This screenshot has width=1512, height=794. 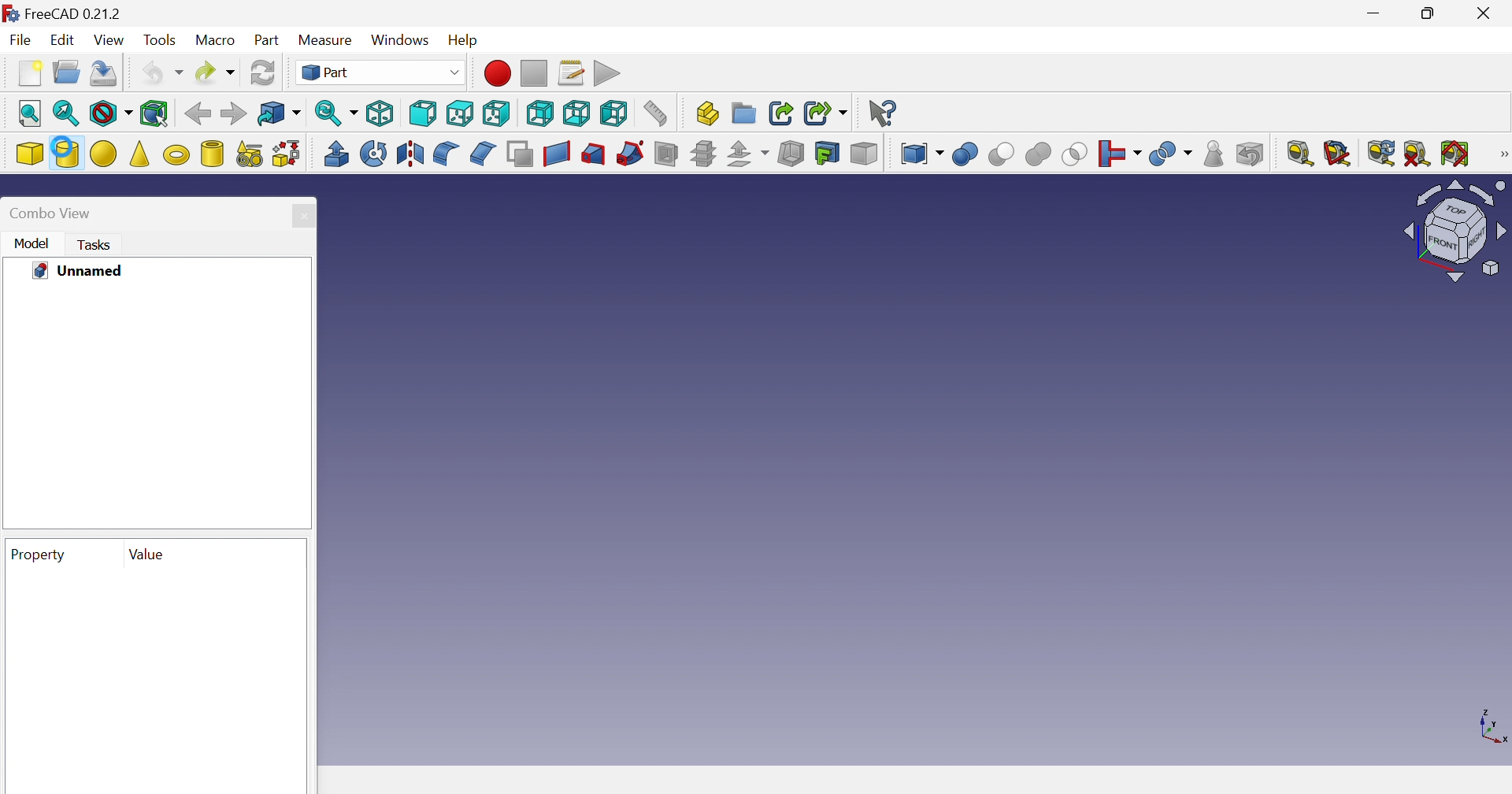 What do you see at coordinates (103, 154) in the screenshot?
I see `Sphere` at bounding box center [103, 154].